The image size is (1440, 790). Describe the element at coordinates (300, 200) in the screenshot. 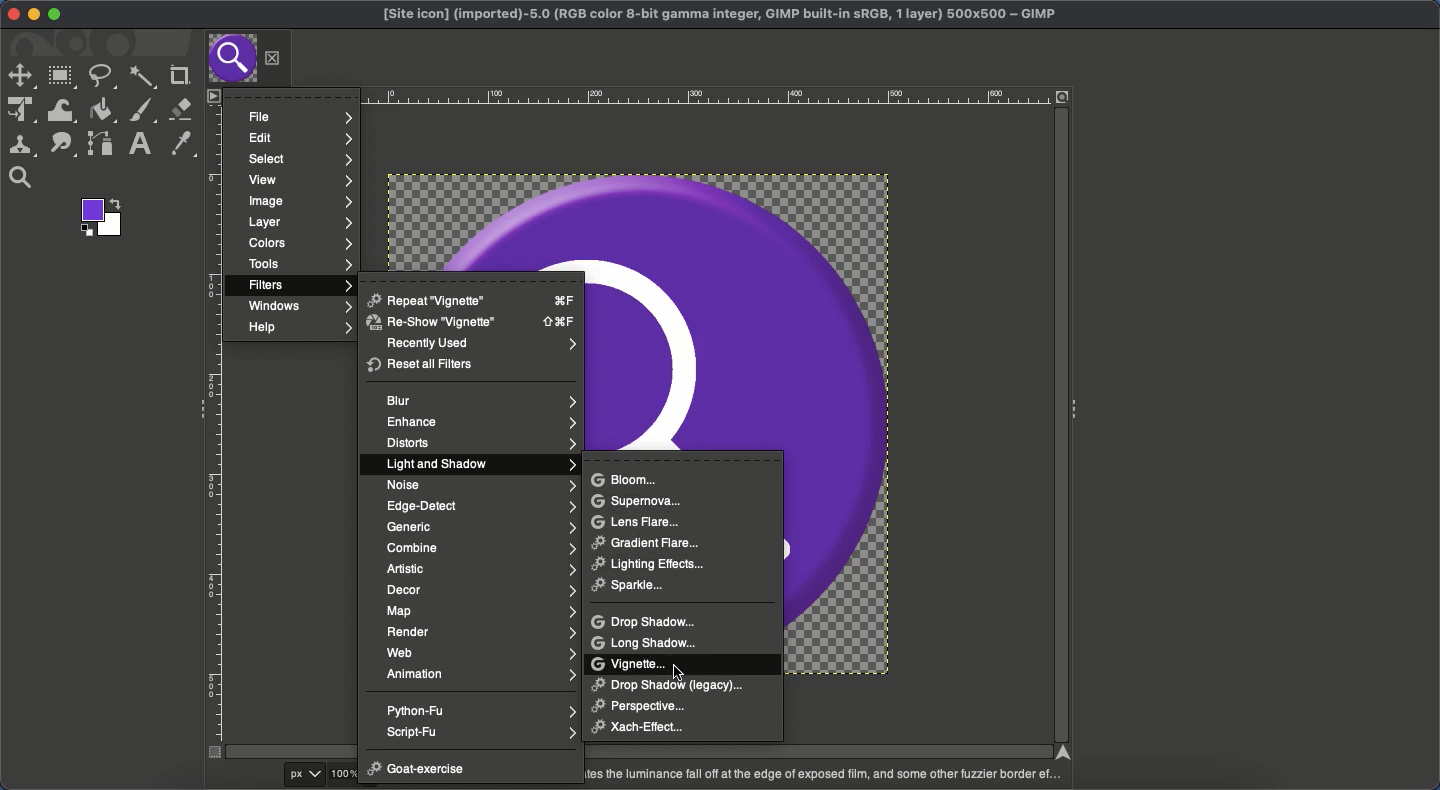

I see `Image` at that location.